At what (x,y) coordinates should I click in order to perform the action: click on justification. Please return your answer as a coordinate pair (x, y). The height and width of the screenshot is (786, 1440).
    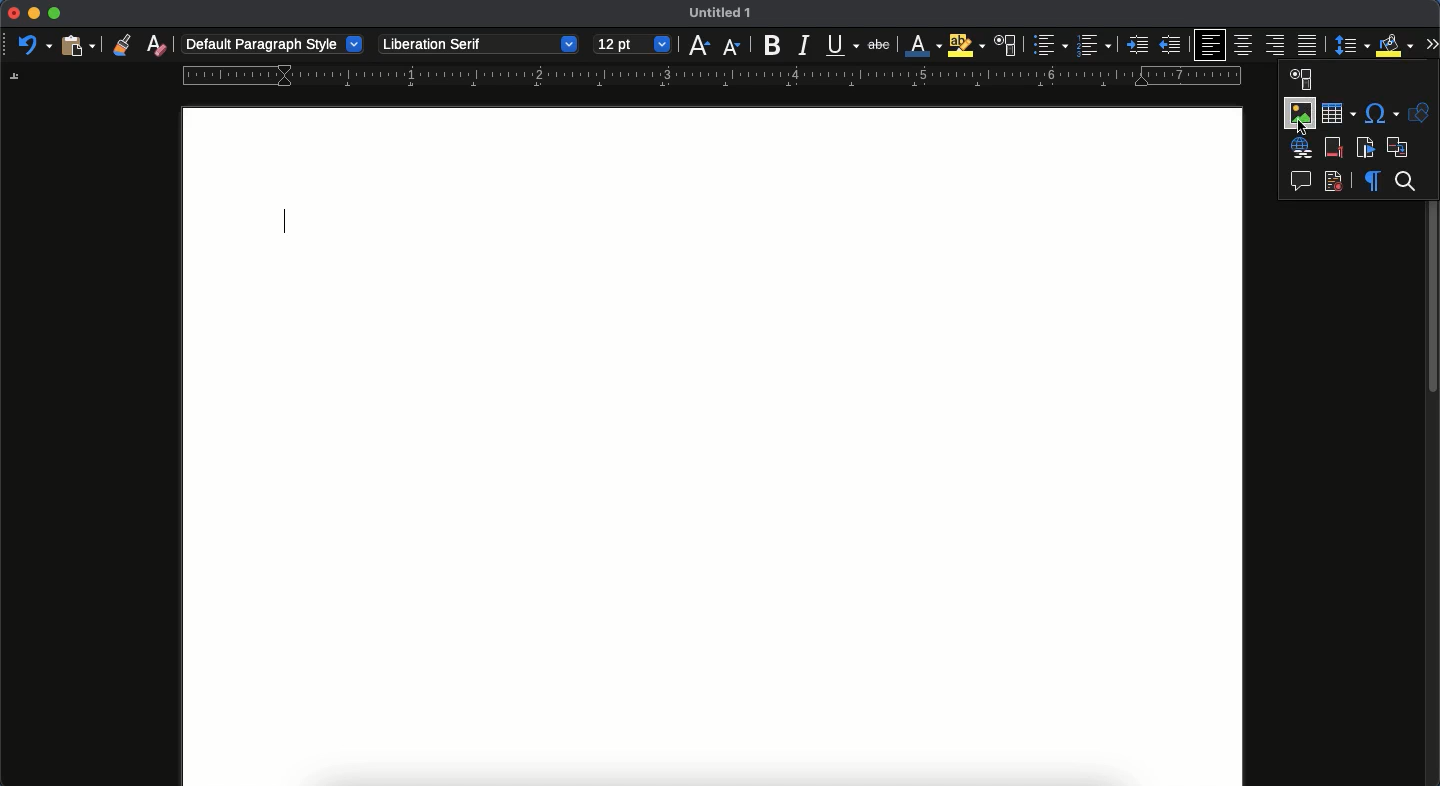
    Looking at the image, I should click on (1305, 44).